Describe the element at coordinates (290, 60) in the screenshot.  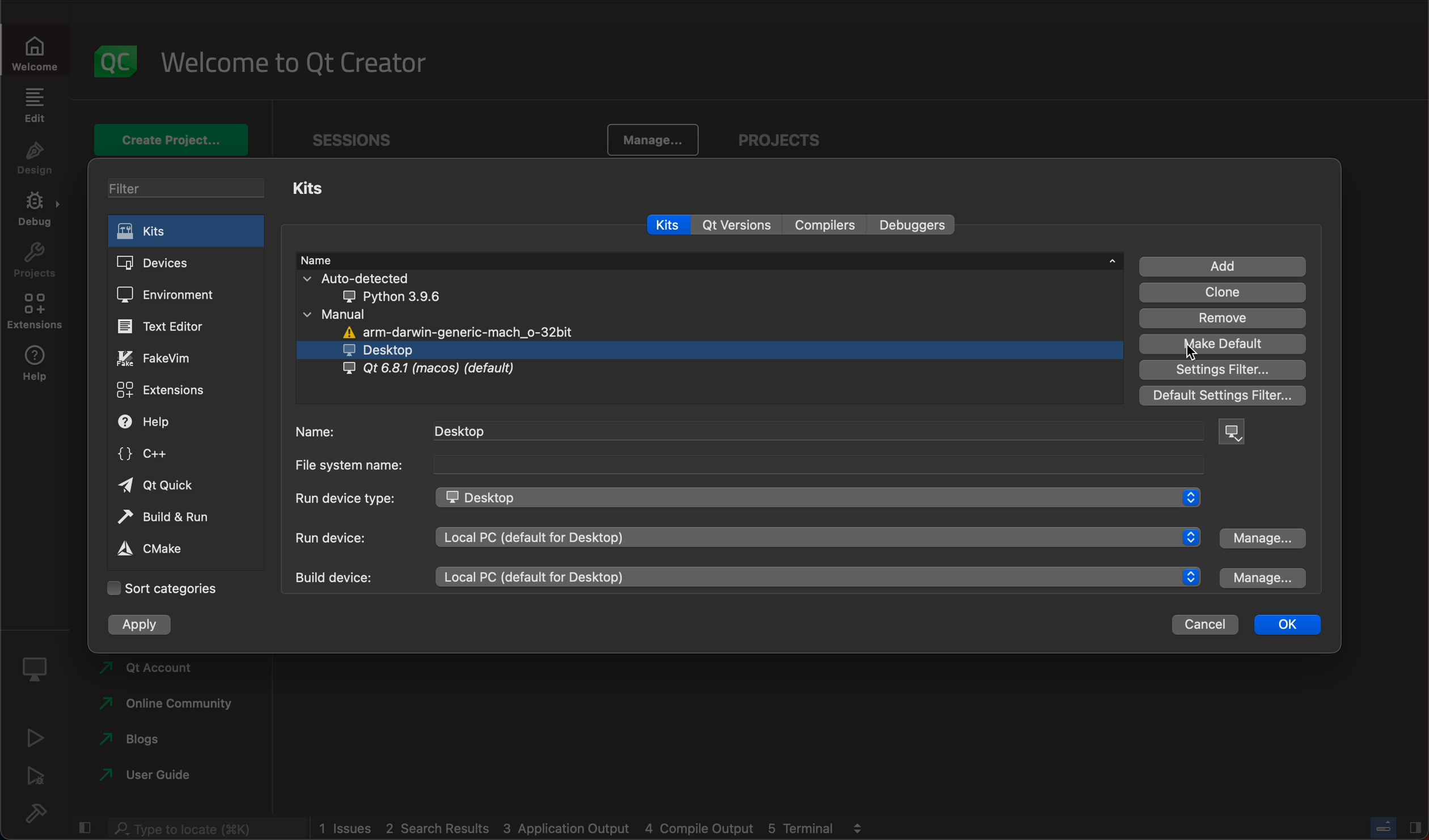
I see `welcome to qt creator` at that location.